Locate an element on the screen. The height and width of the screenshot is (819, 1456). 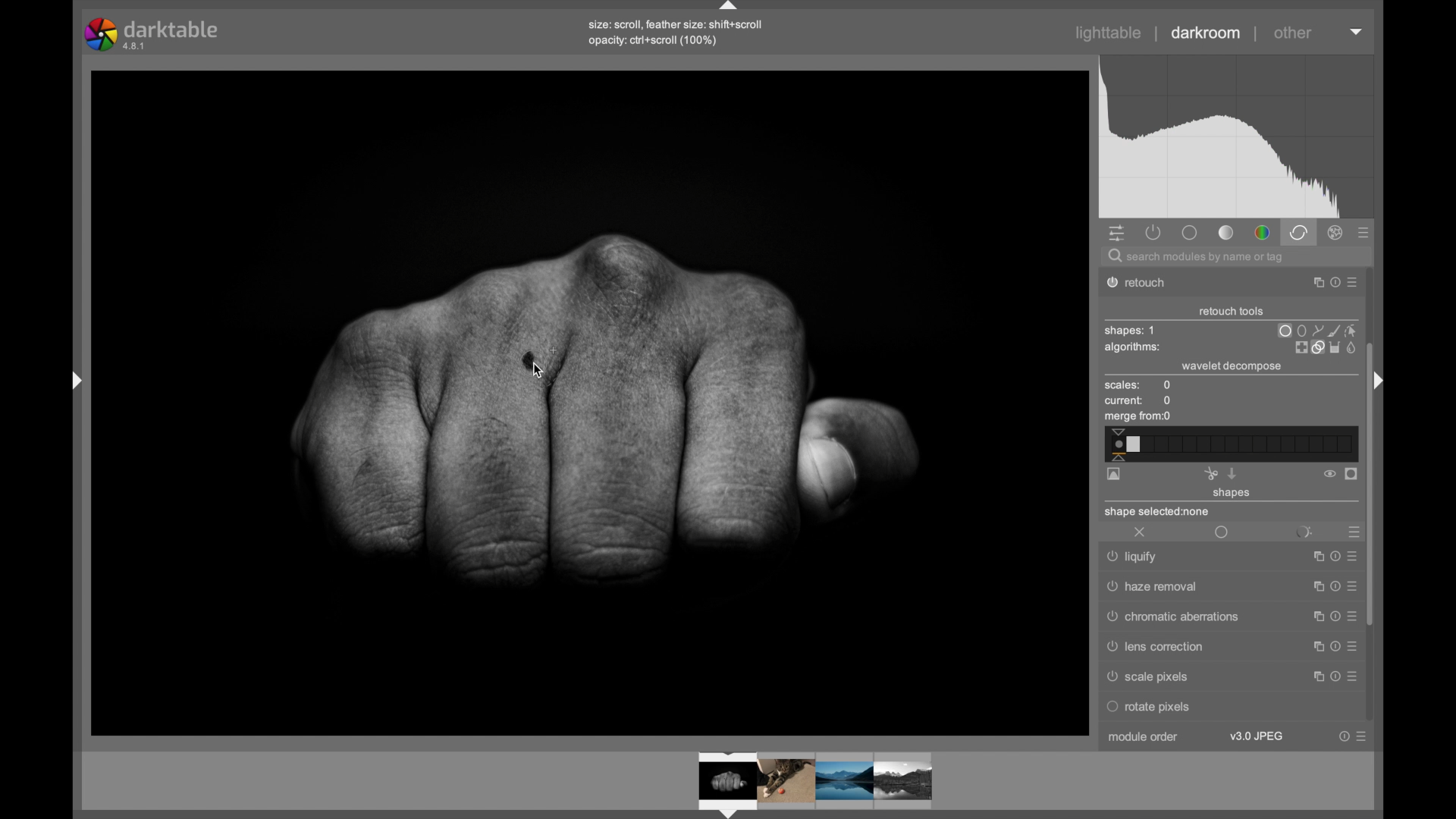
scroll box is located at coordinates (1371, 483).